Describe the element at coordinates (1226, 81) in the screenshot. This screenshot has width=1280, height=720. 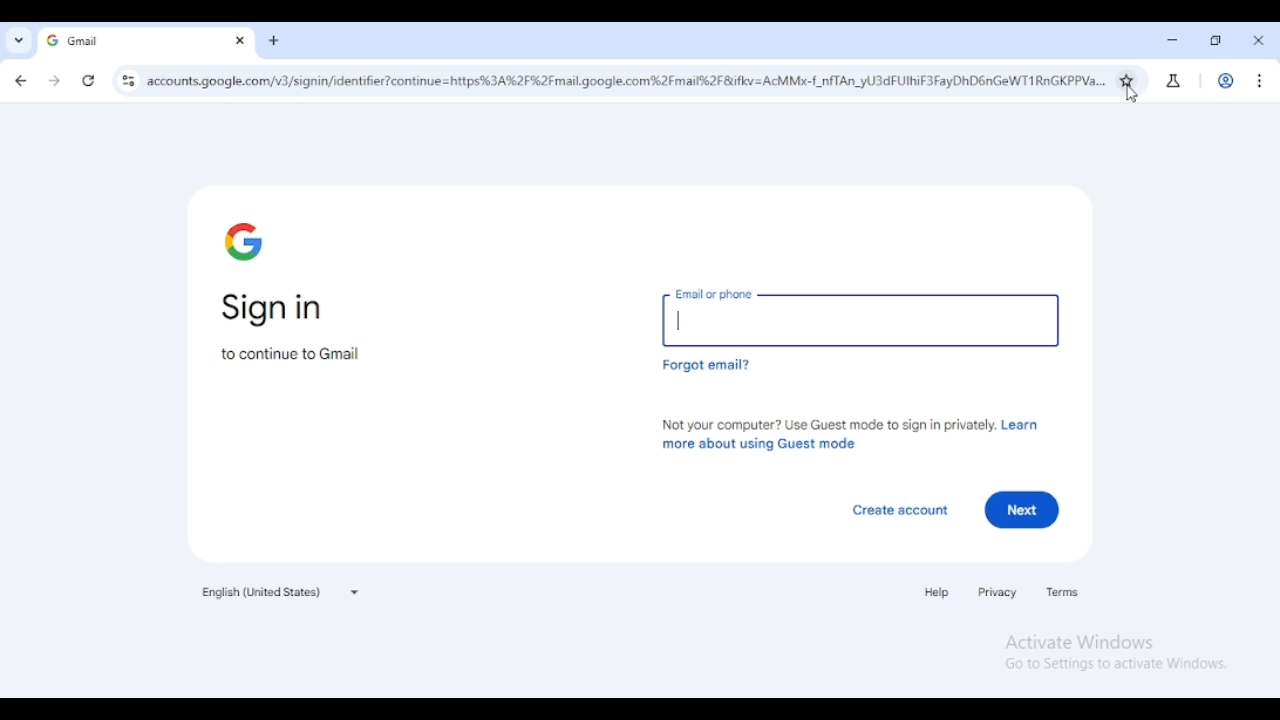
I see `profile` at that location.